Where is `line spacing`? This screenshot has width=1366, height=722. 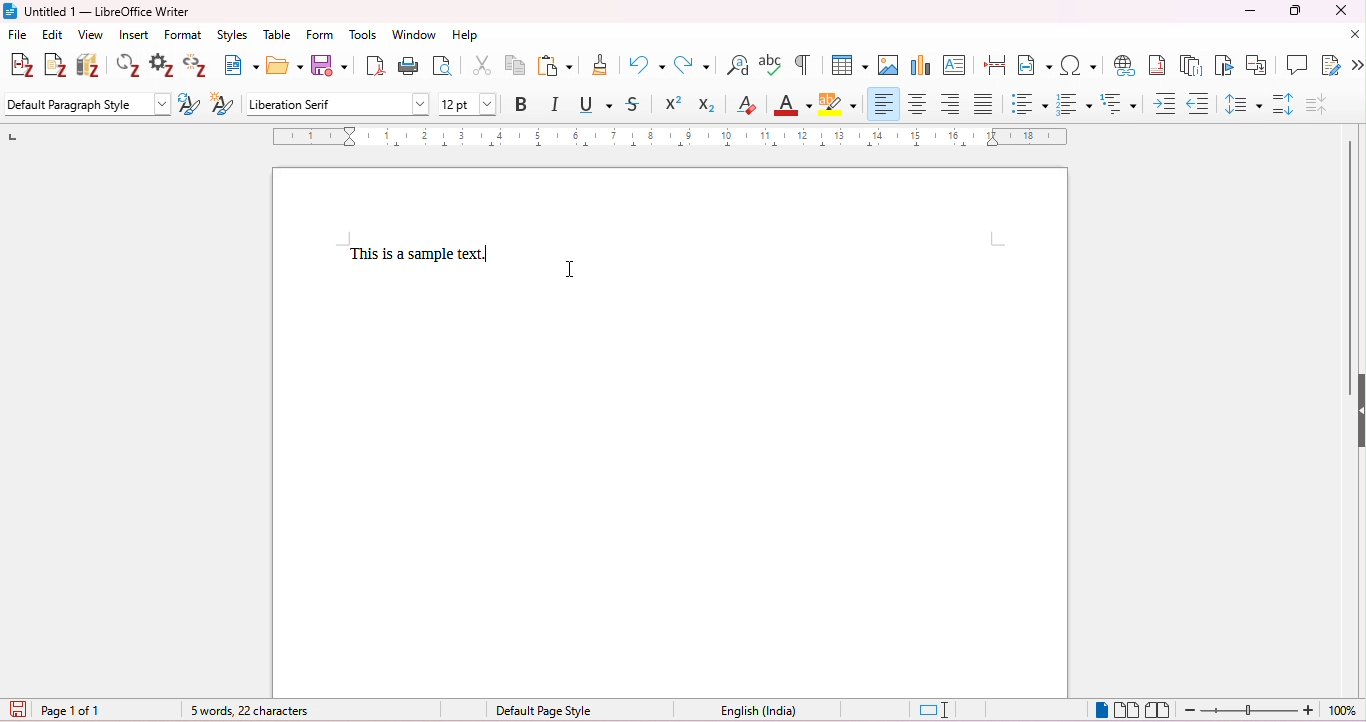
line spacing is located at coordinates (1243, 103).